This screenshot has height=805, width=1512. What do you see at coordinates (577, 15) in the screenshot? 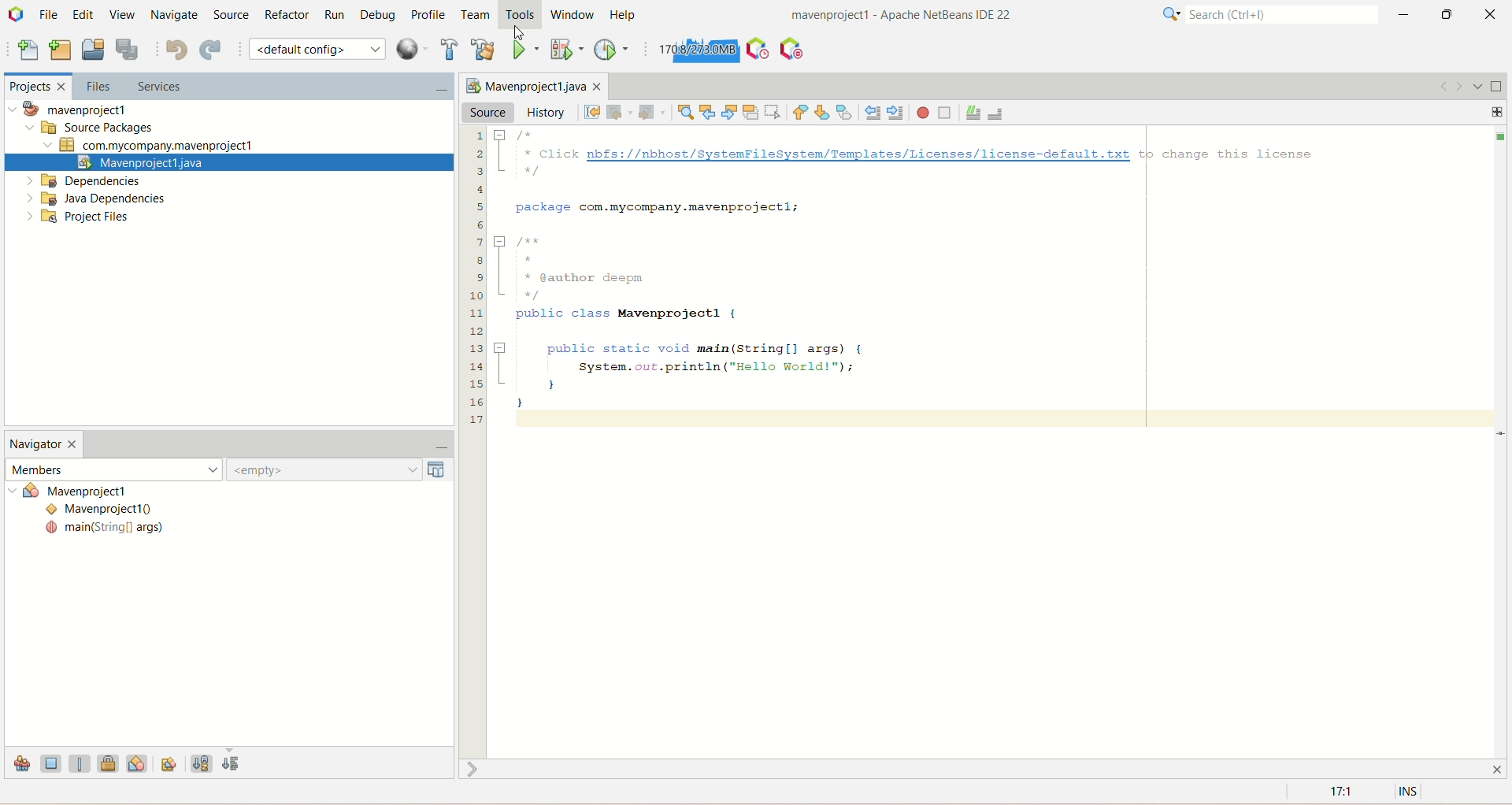
I see `window` at bounding box center [577, 15].